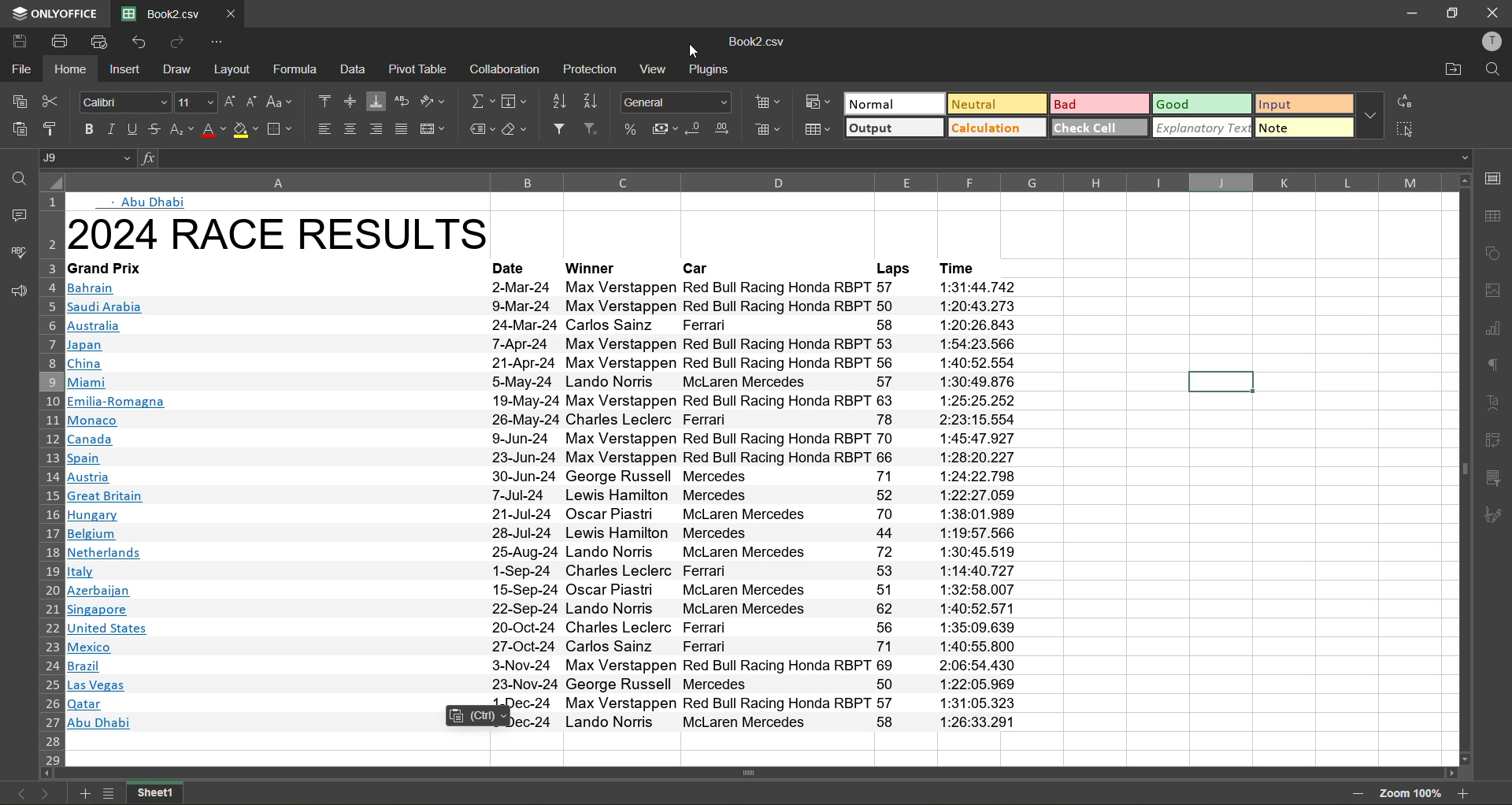  Describe the element at coordinates (717, 69) in the screenshot. I see `plugins` at that location.